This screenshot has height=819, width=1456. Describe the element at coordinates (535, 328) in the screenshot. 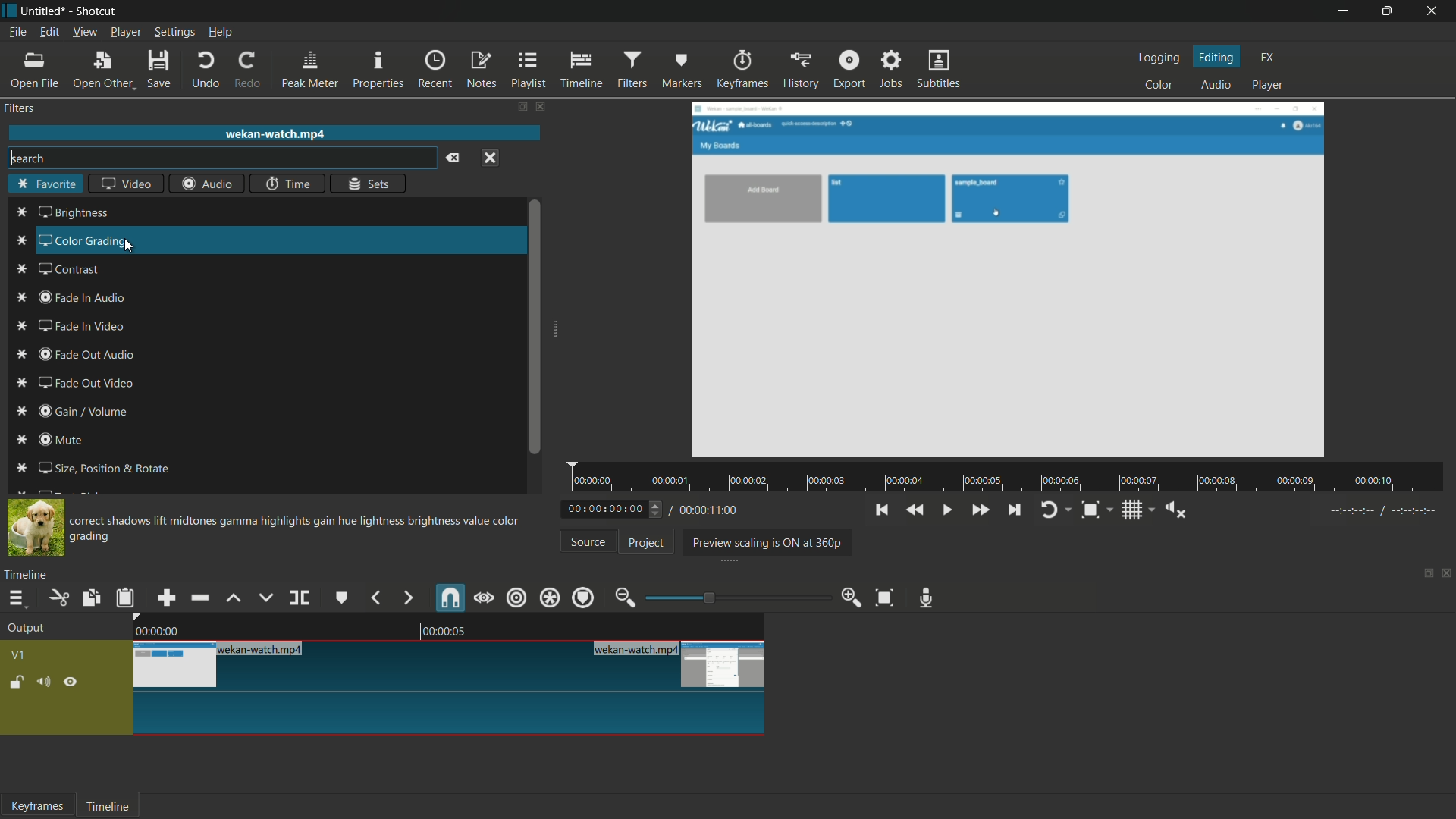

I see `scroll bar` at that location.